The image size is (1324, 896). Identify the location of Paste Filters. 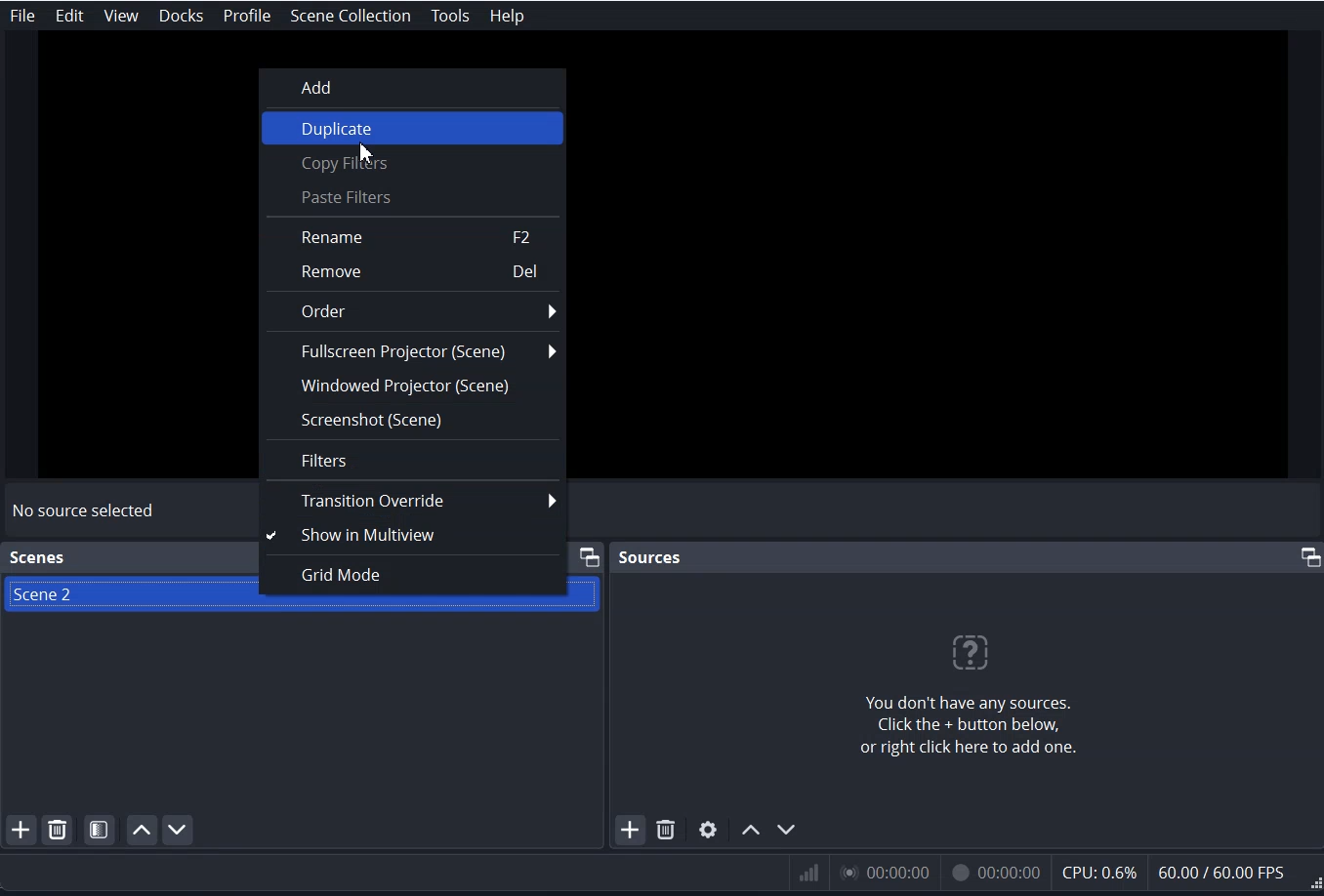
(412, 195).